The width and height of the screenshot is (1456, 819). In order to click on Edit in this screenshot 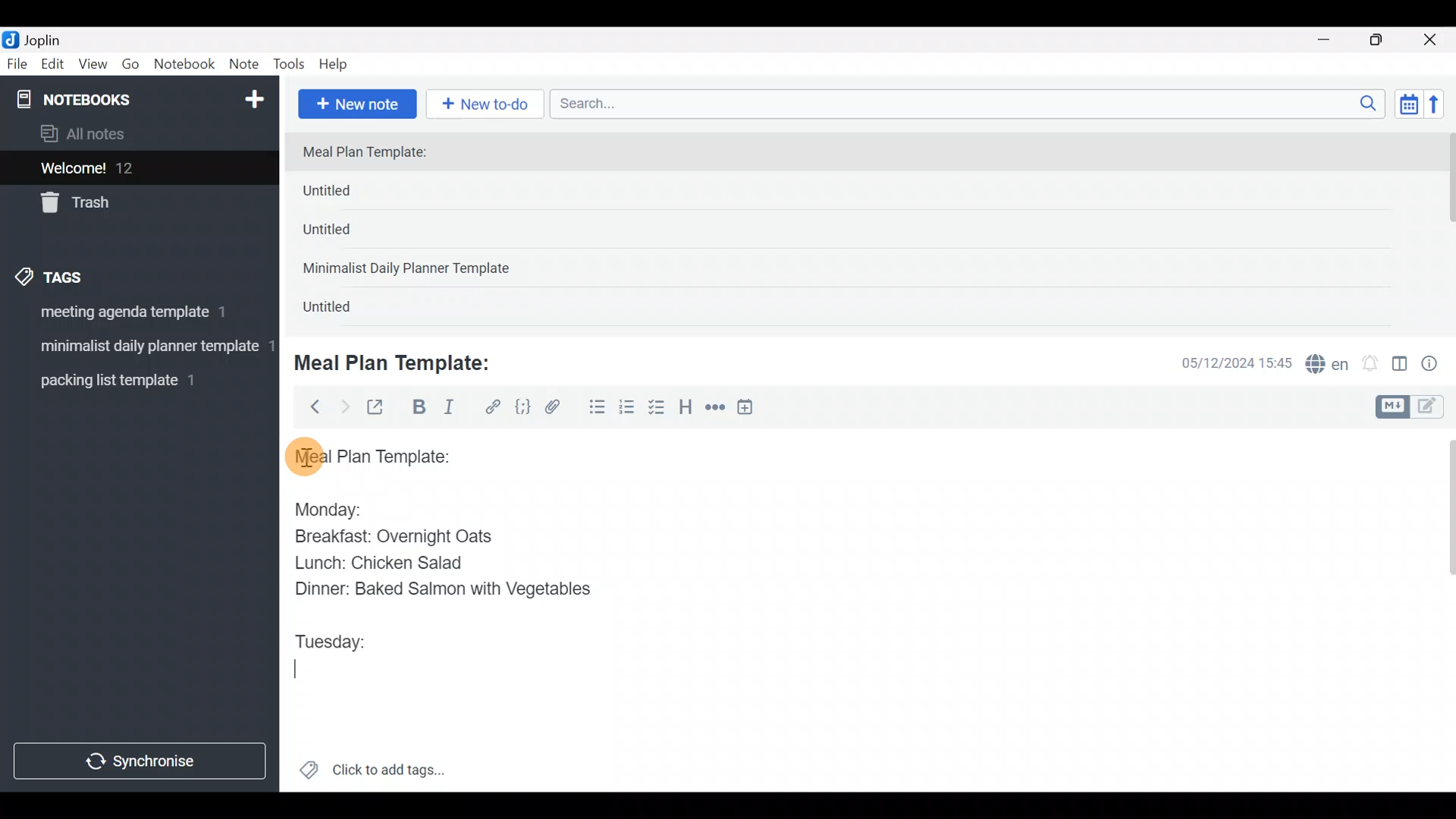, I will do `click(53, 67)`.